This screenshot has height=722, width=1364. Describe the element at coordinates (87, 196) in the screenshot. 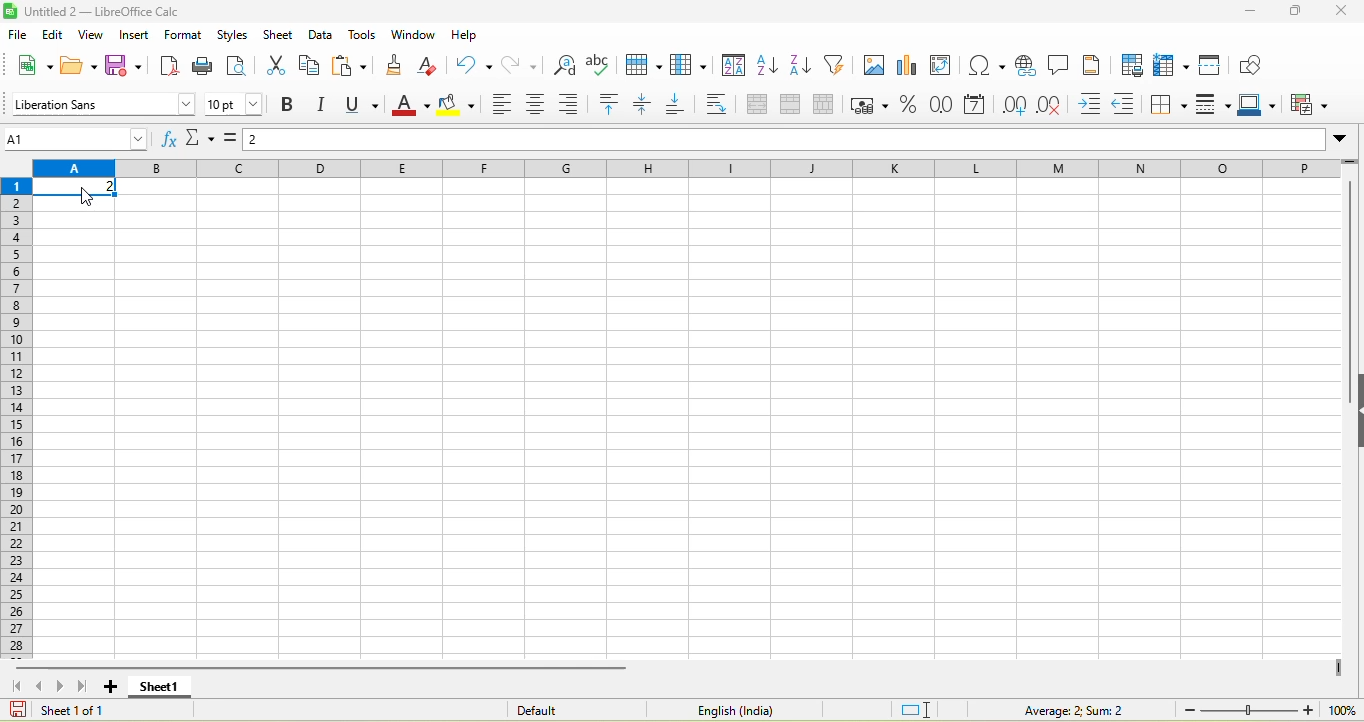

I see `cursor` at that location.